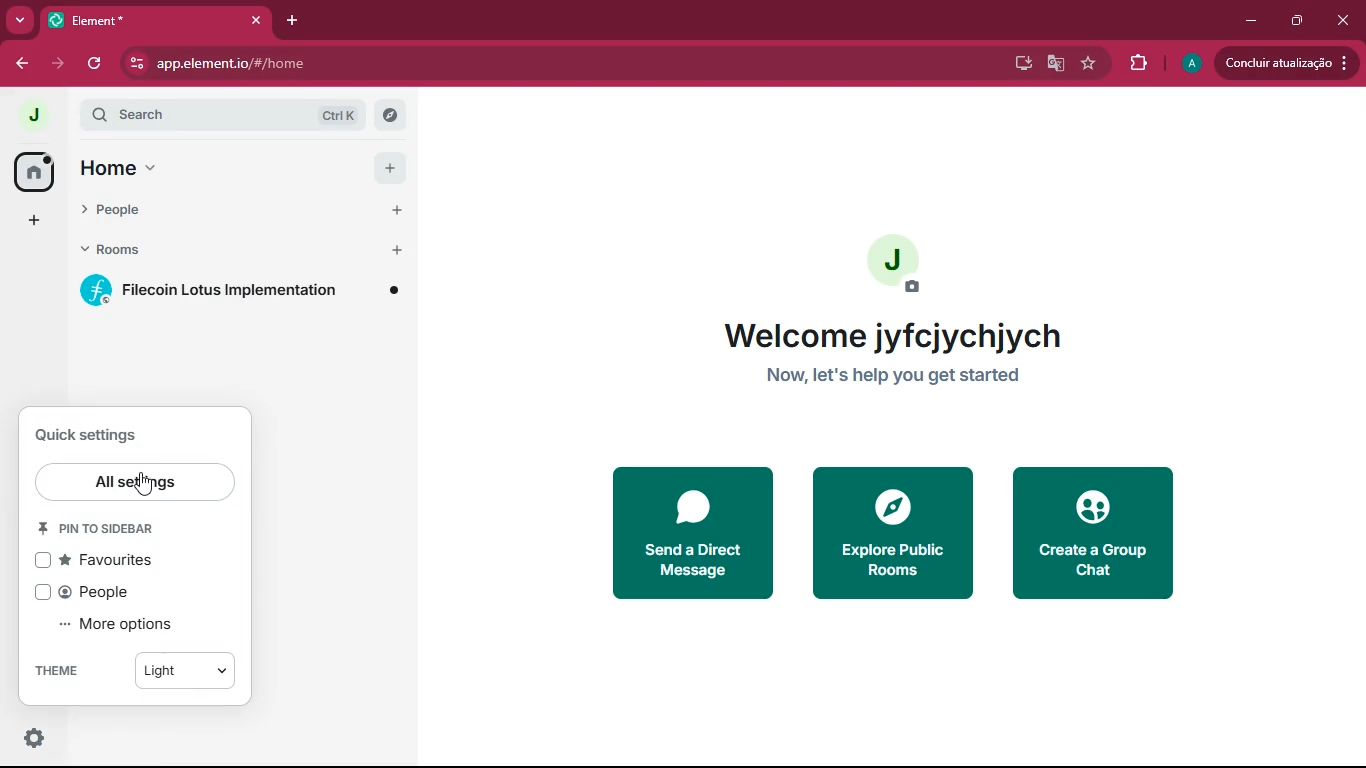 This screenshot has height=768, width=1366. I want to click on profile picture, so click(29, 114).